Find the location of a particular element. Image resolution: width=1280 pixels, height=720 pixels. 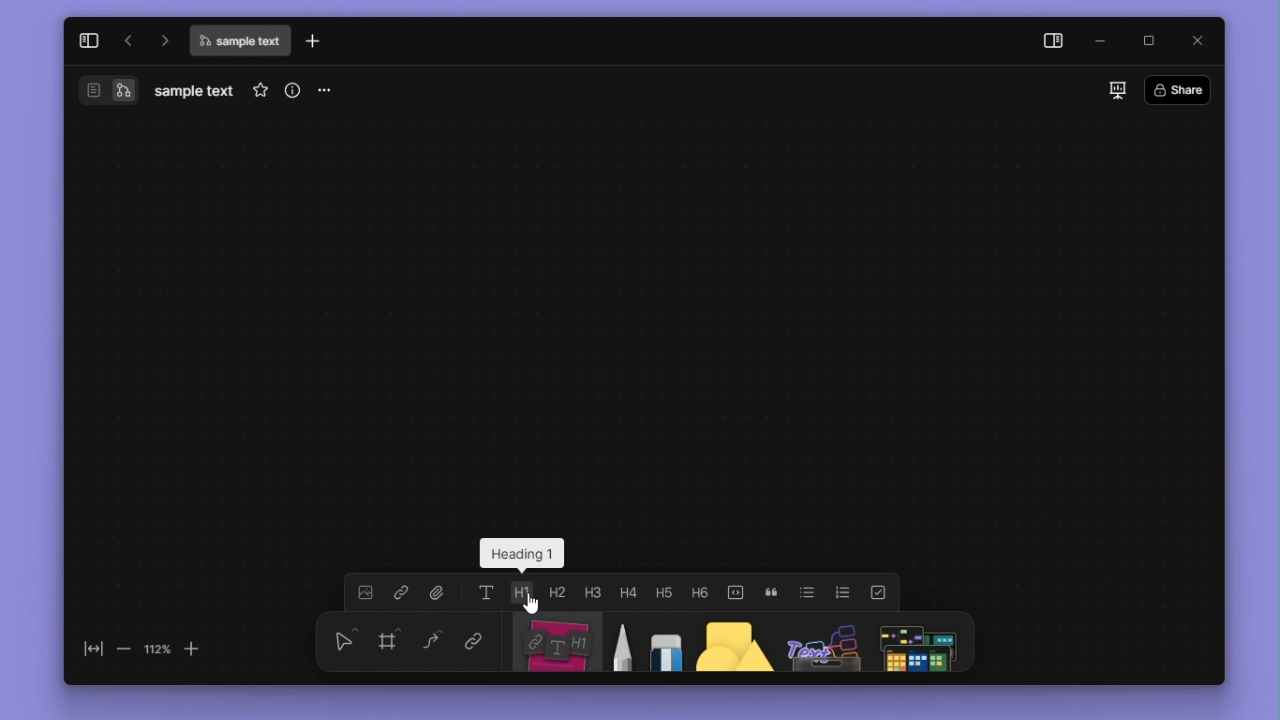

eraser is located at coordinates (666, 642).